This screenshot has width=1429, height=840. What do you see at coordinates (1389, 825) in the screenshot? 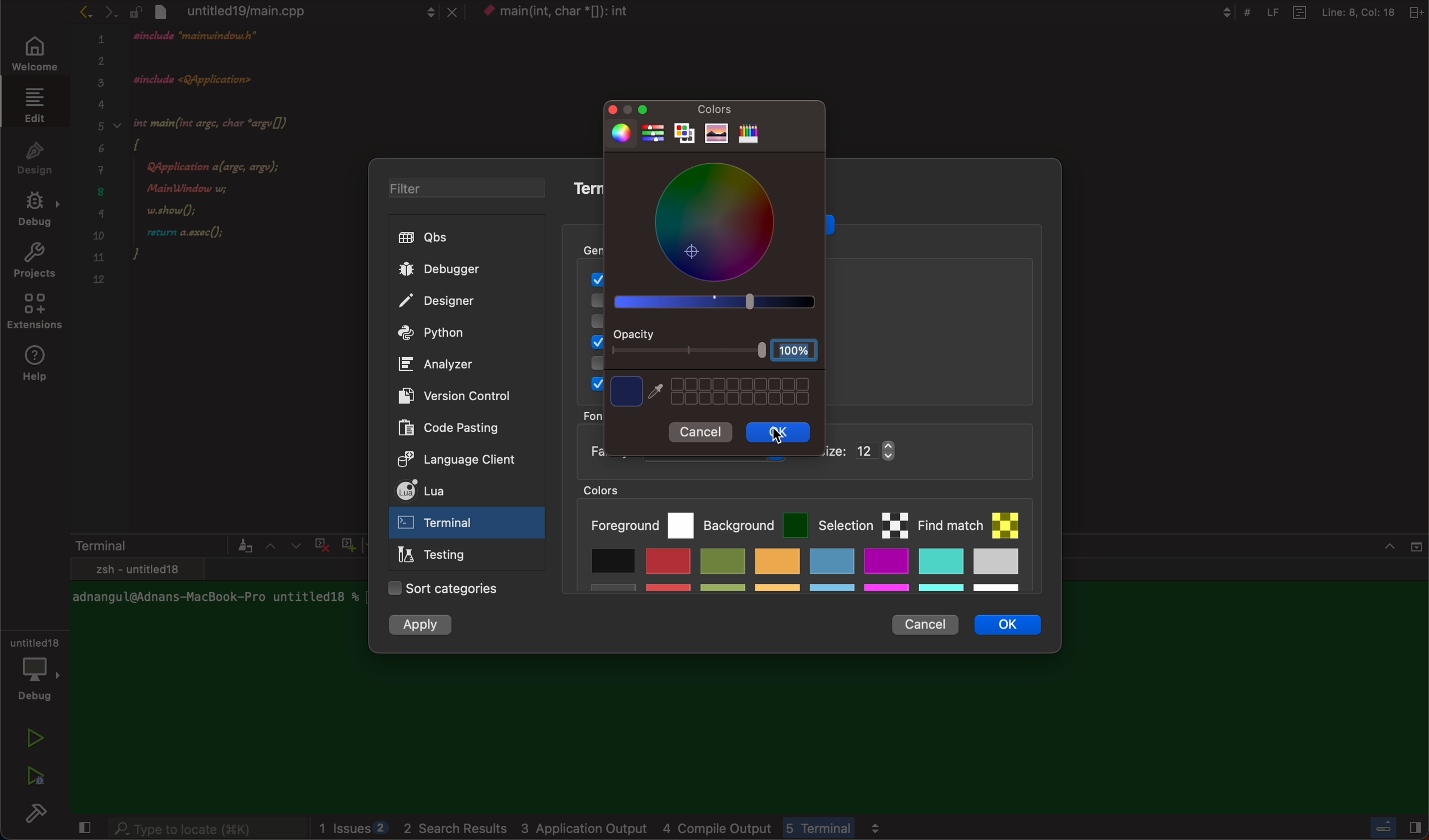
I see `close bar` at bounding box center [1389, 825].